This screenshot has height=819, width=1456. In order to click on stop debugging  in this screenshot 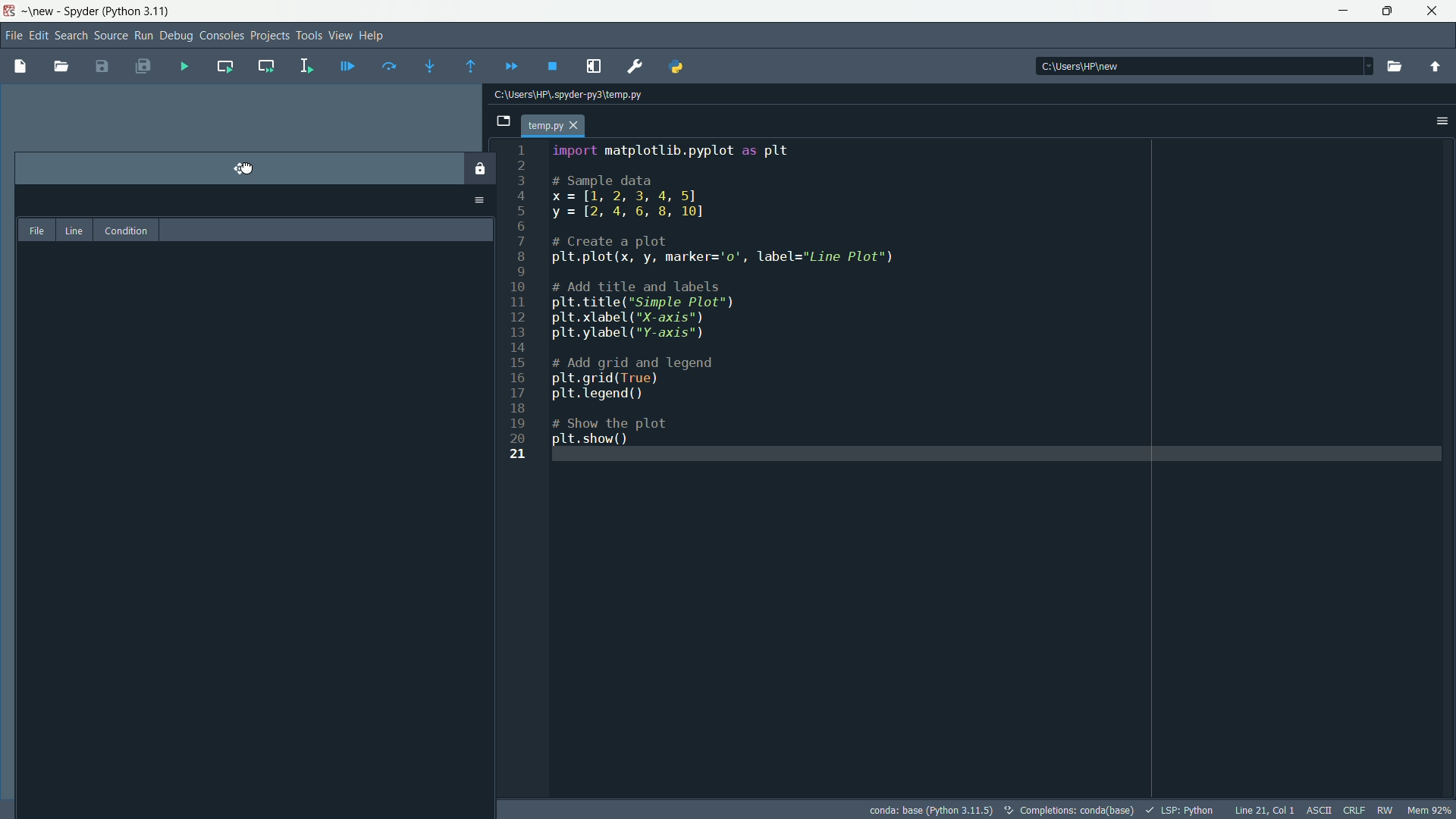, I will do `click(554, 67)`.